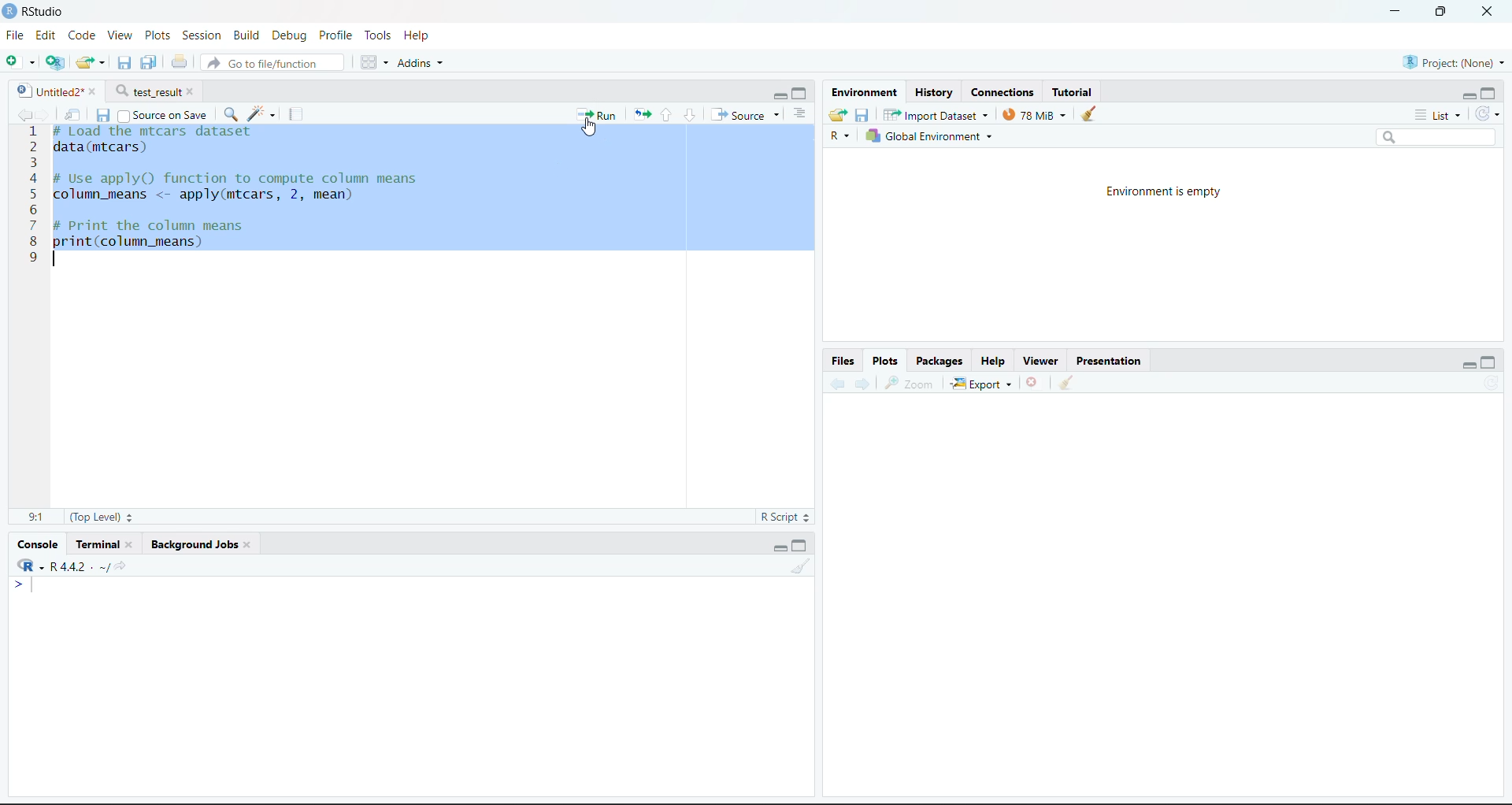 This screenshot has width=1512, height=805. Describe the element at coordinates (150, 60) in the screenshot. I see `Save current document (Ctrl + S)` at that location.